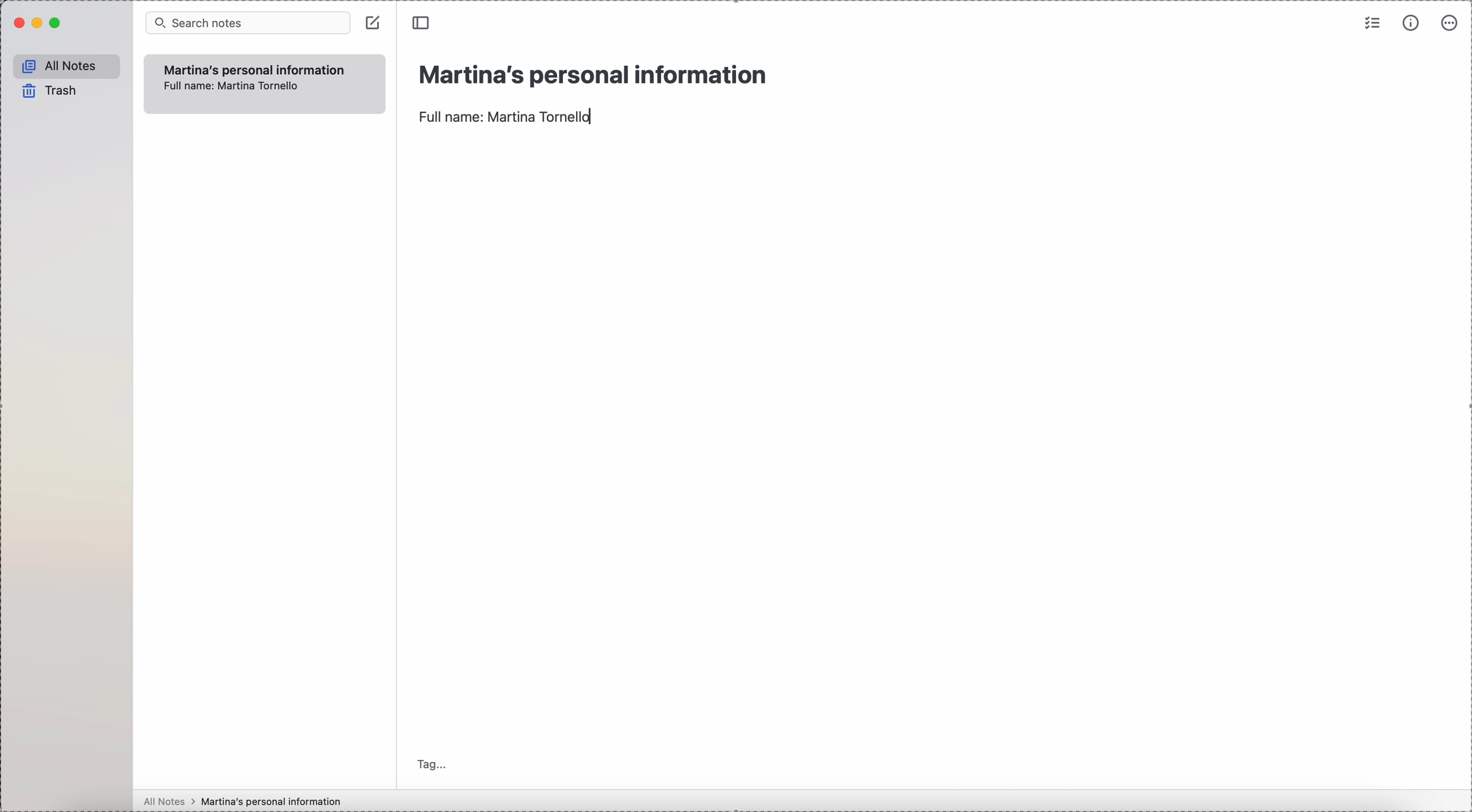  What do you see at coordinates (249, 23) in the screenshot?
I see `search bar` at bounding box center [249, 23].